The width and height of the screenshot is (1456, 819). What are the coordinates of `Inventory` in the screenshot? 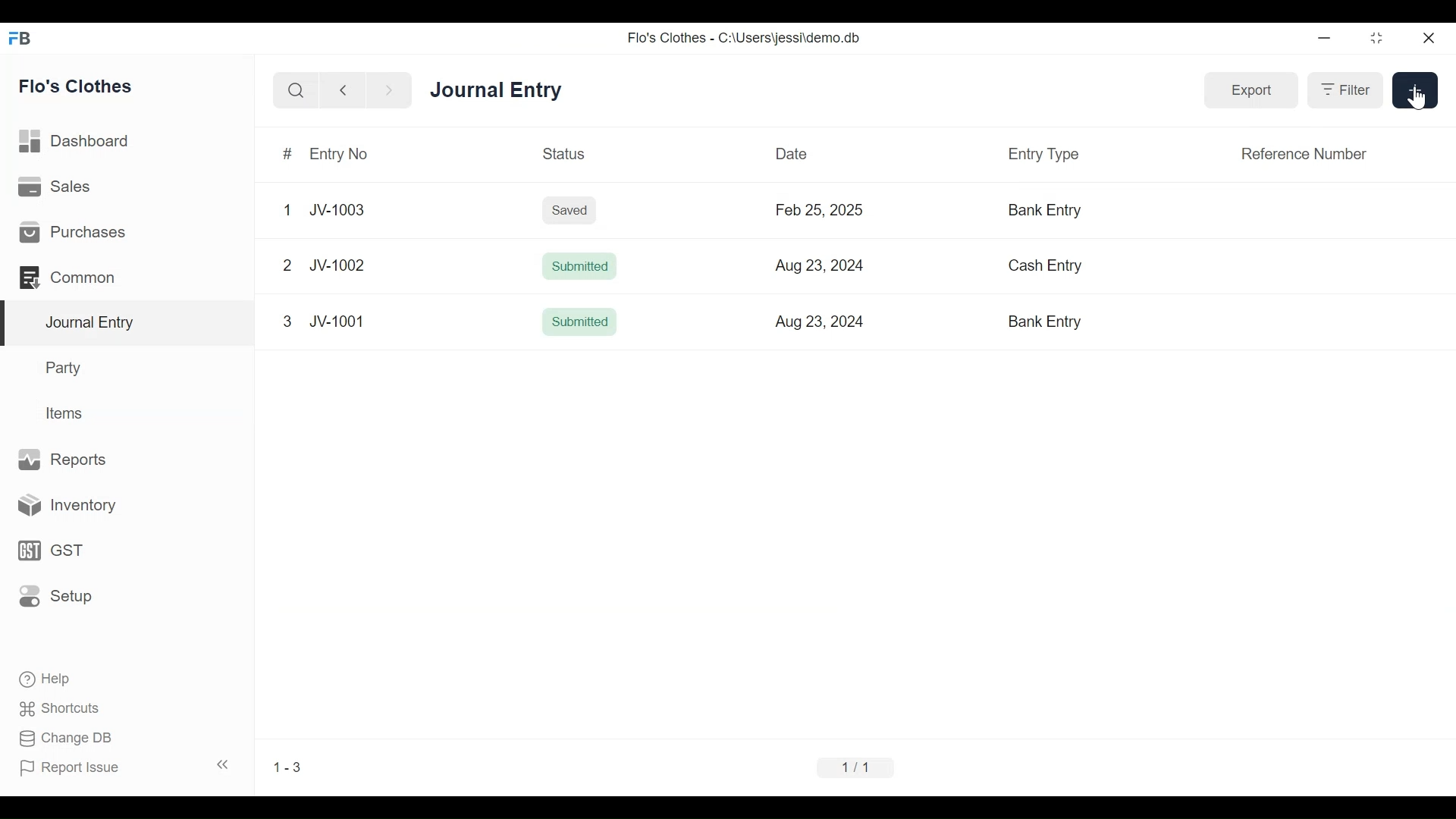 It's located at (61, 507).